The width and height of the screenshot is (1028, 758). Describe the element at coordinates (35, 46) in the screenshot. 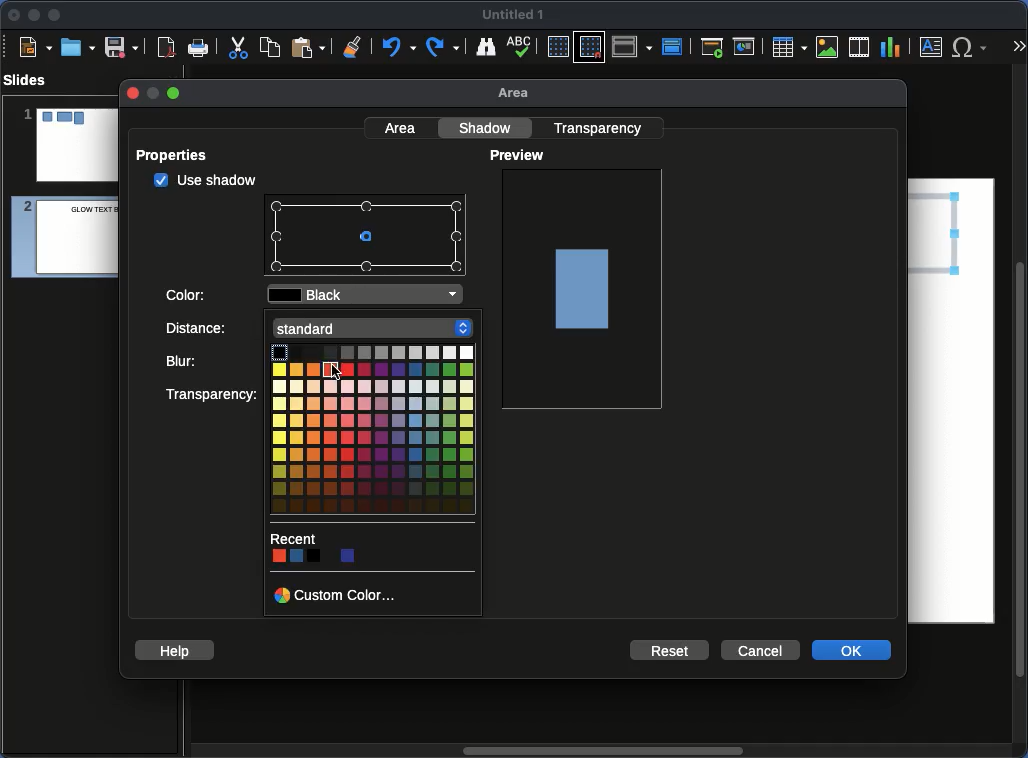

I see `New` at that location.